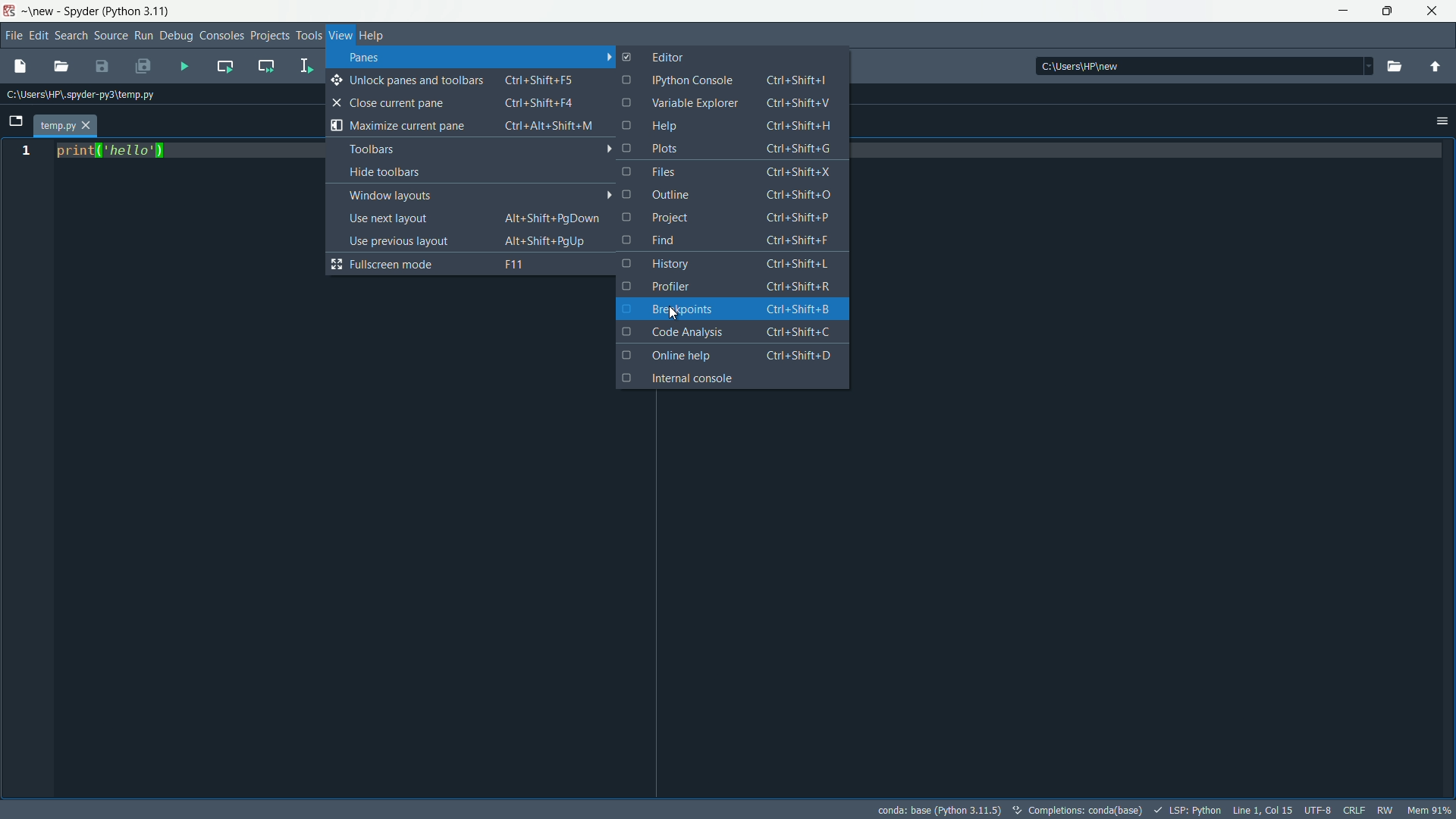 This screenshot has height=819, width=1456. Describe the element at coordinates (144, 65) in the screenshot. I see `save all files` at that location.